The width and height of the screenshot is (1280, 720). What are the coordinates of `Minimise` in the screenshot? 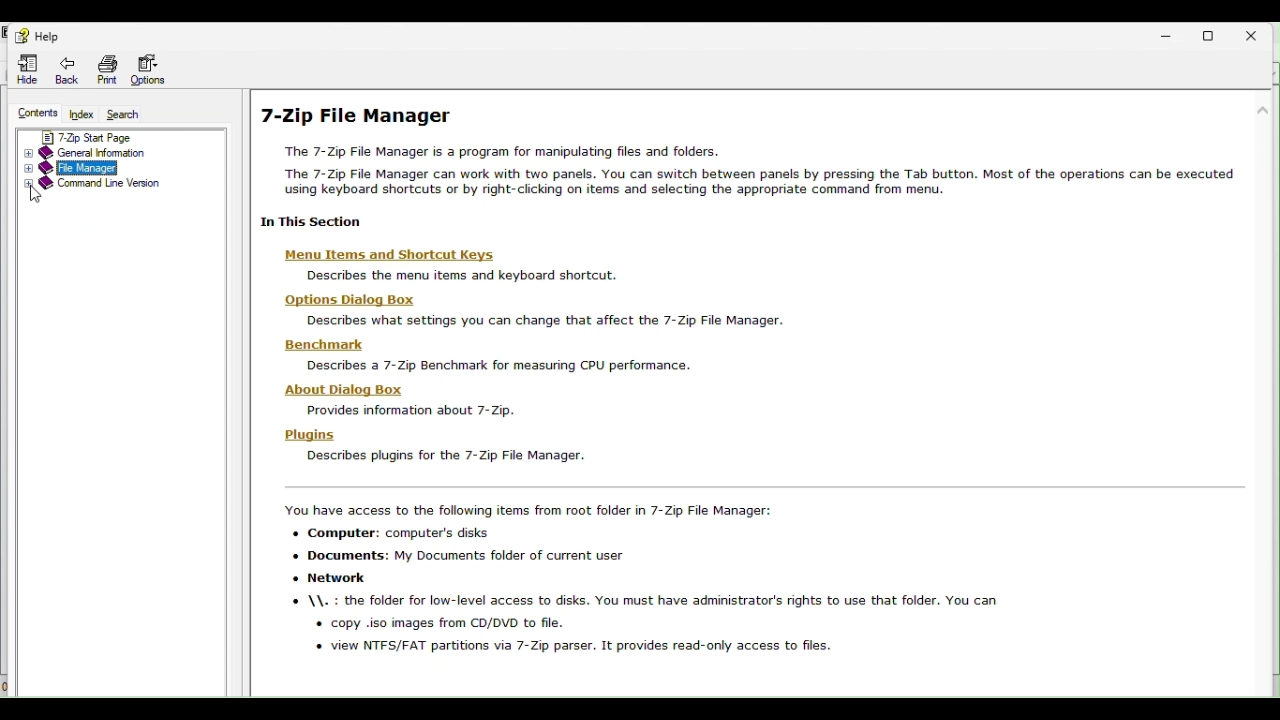 It's located at (1172, 31).